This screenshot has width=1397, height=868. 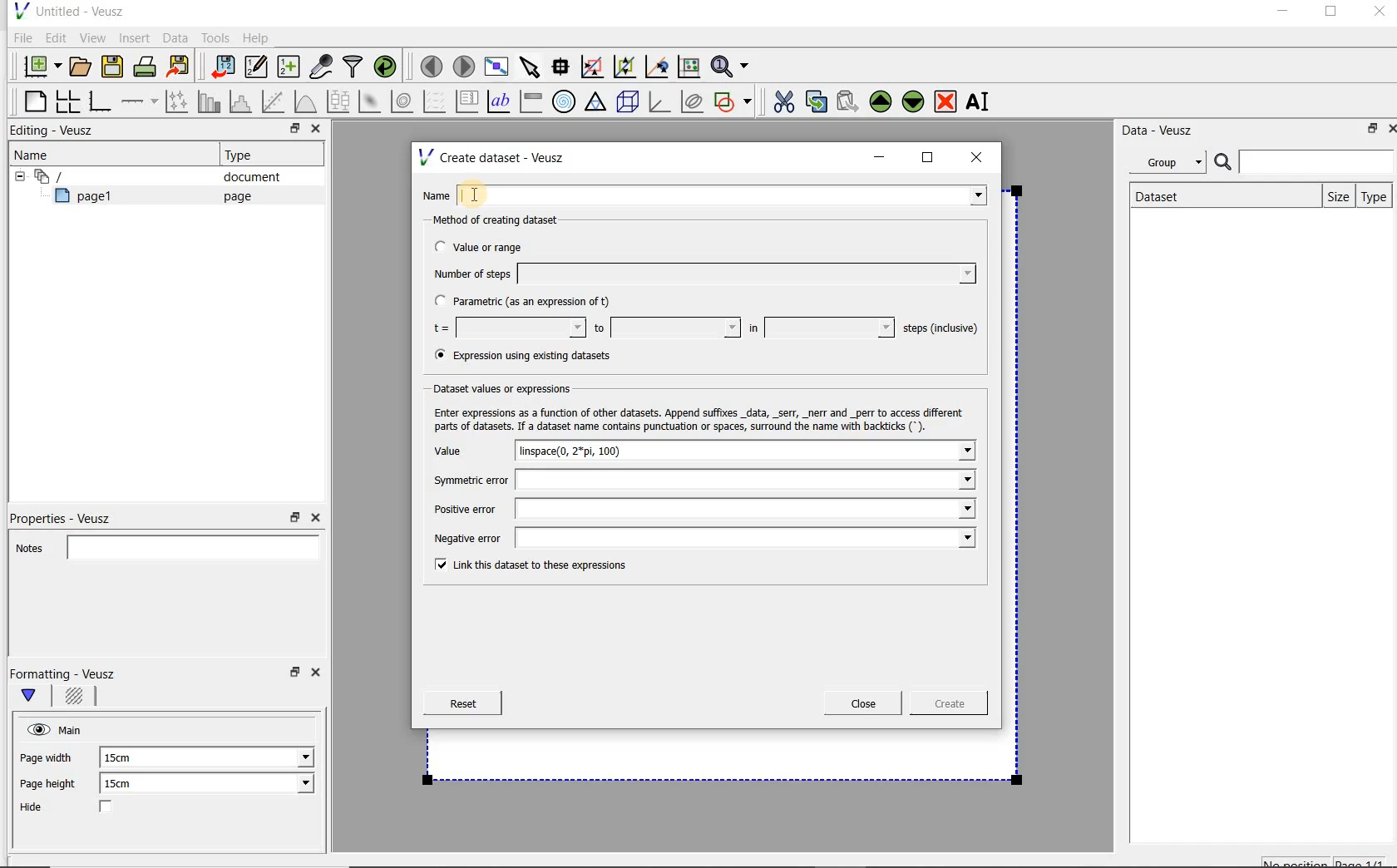 What do you see at coordinates (73, 728) in the screenshot?
I see `Main` at bounding box center [73, 728].